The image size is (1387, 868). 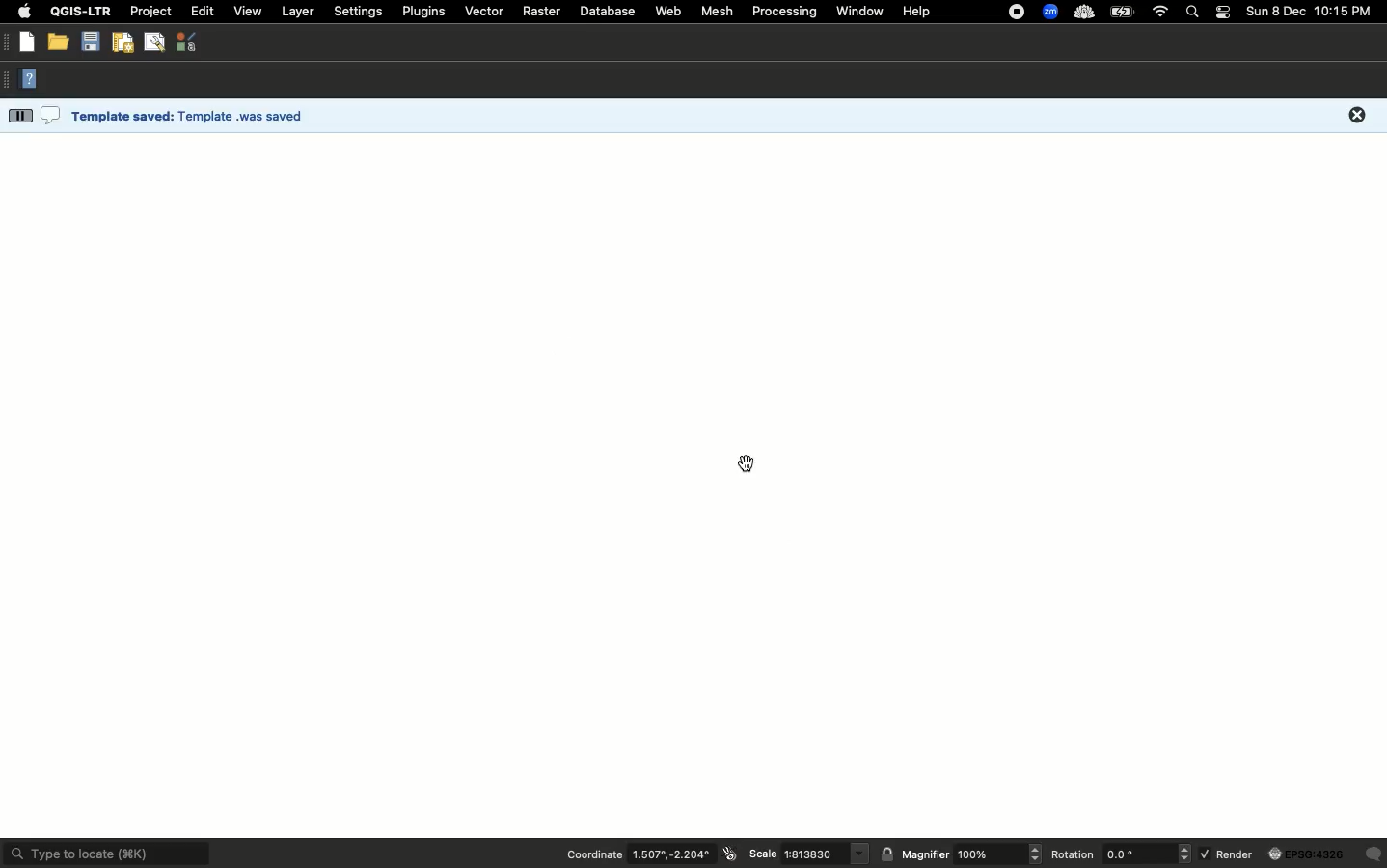 I want to click on Coordination, so click(x=594, y=854).